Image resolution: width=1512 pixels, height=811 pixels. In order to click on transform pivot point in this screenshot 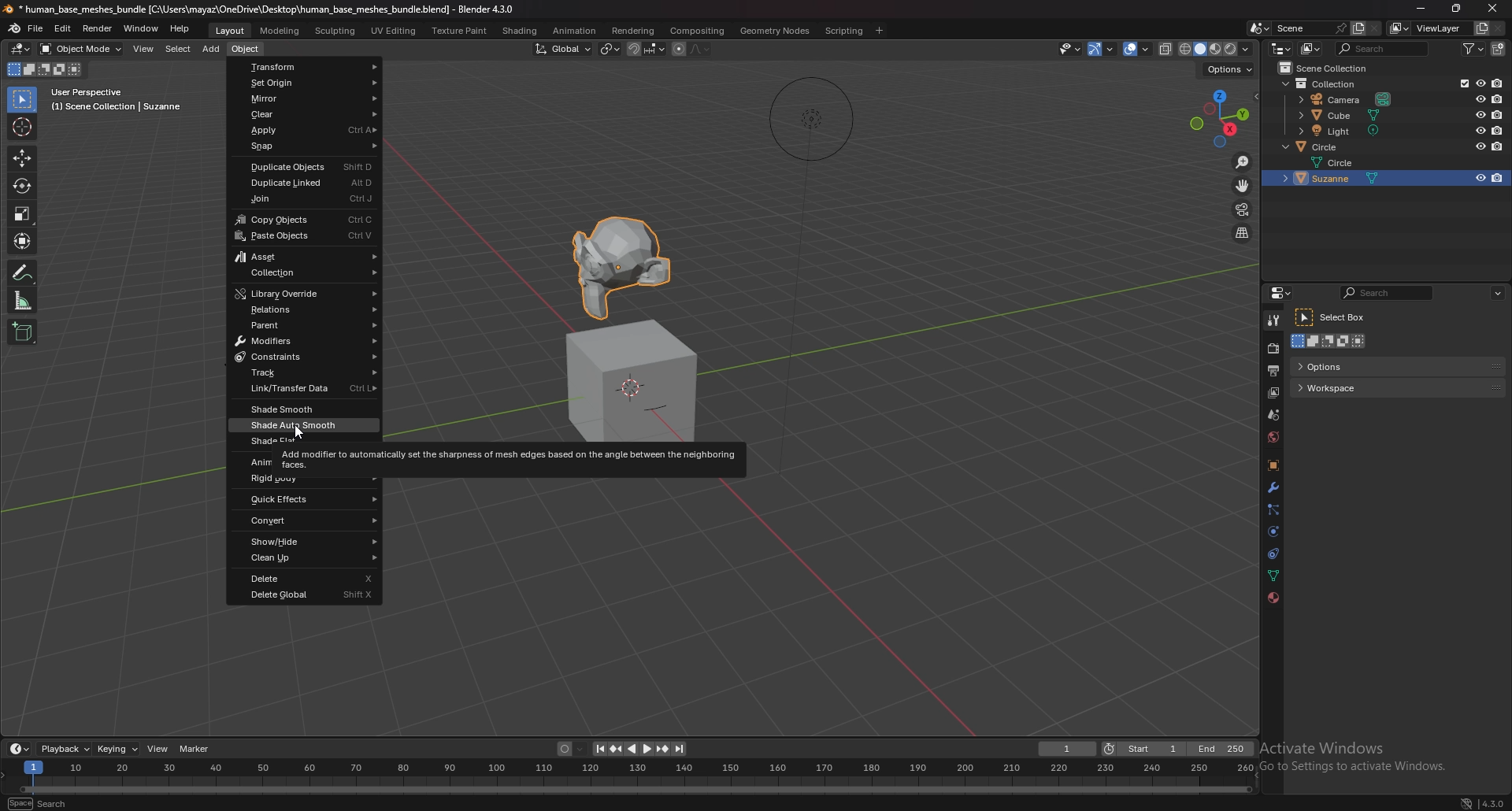, I will do `click(610, 50)`.